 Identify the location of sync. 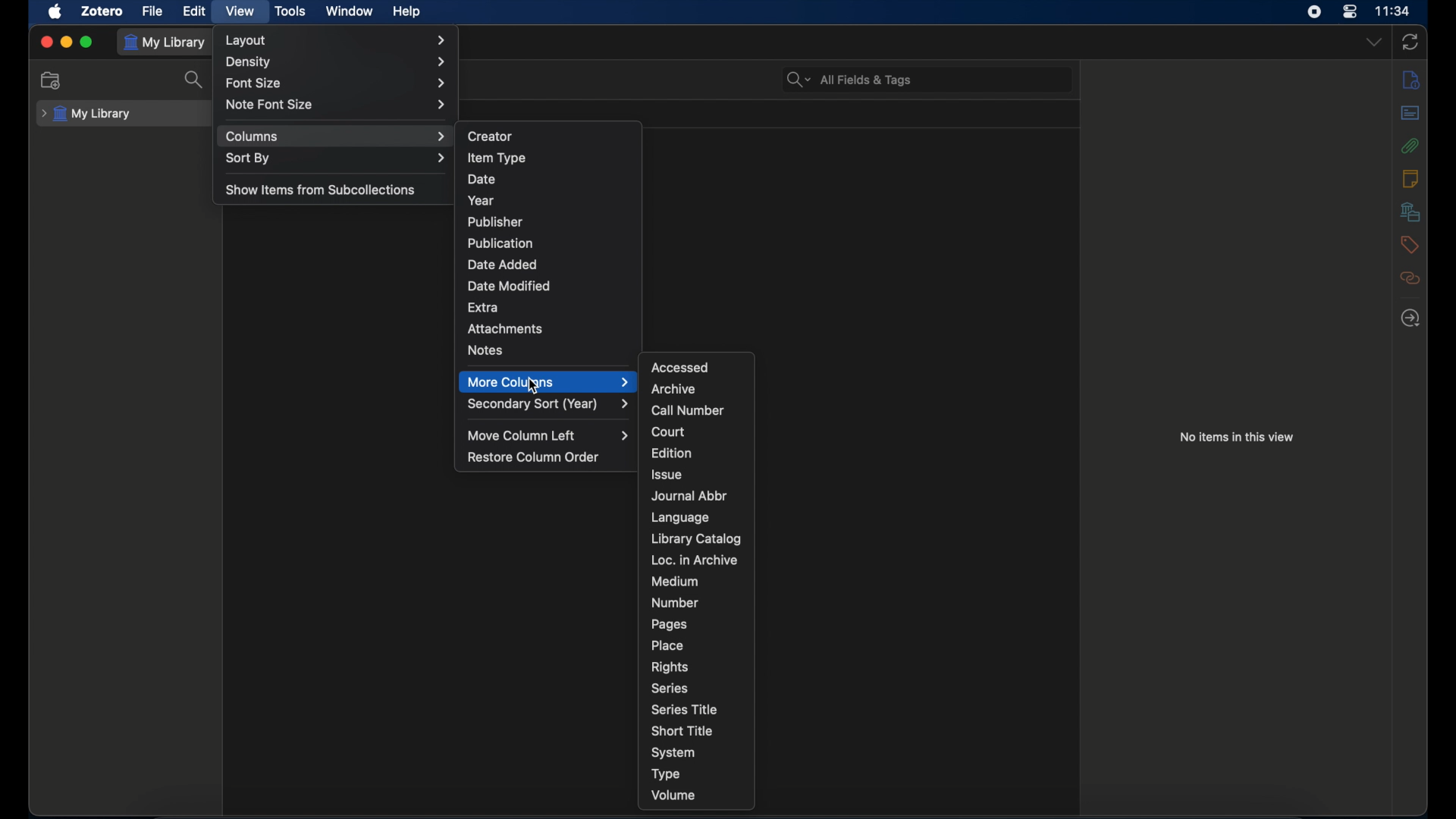
(1410, 42).